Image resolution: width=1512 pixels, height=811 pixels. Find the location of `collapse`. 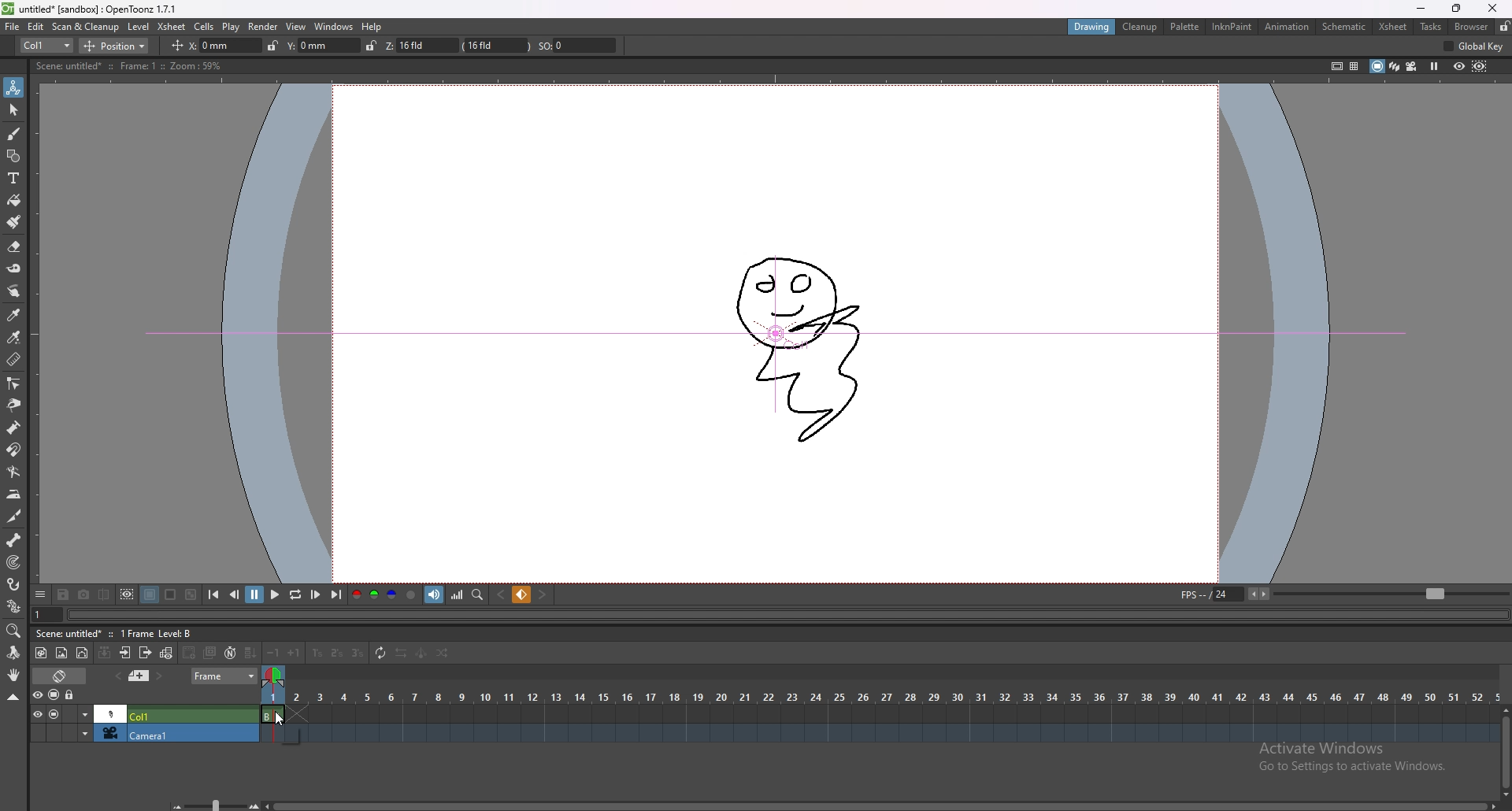

collapse is located at coordinates (105, 652).